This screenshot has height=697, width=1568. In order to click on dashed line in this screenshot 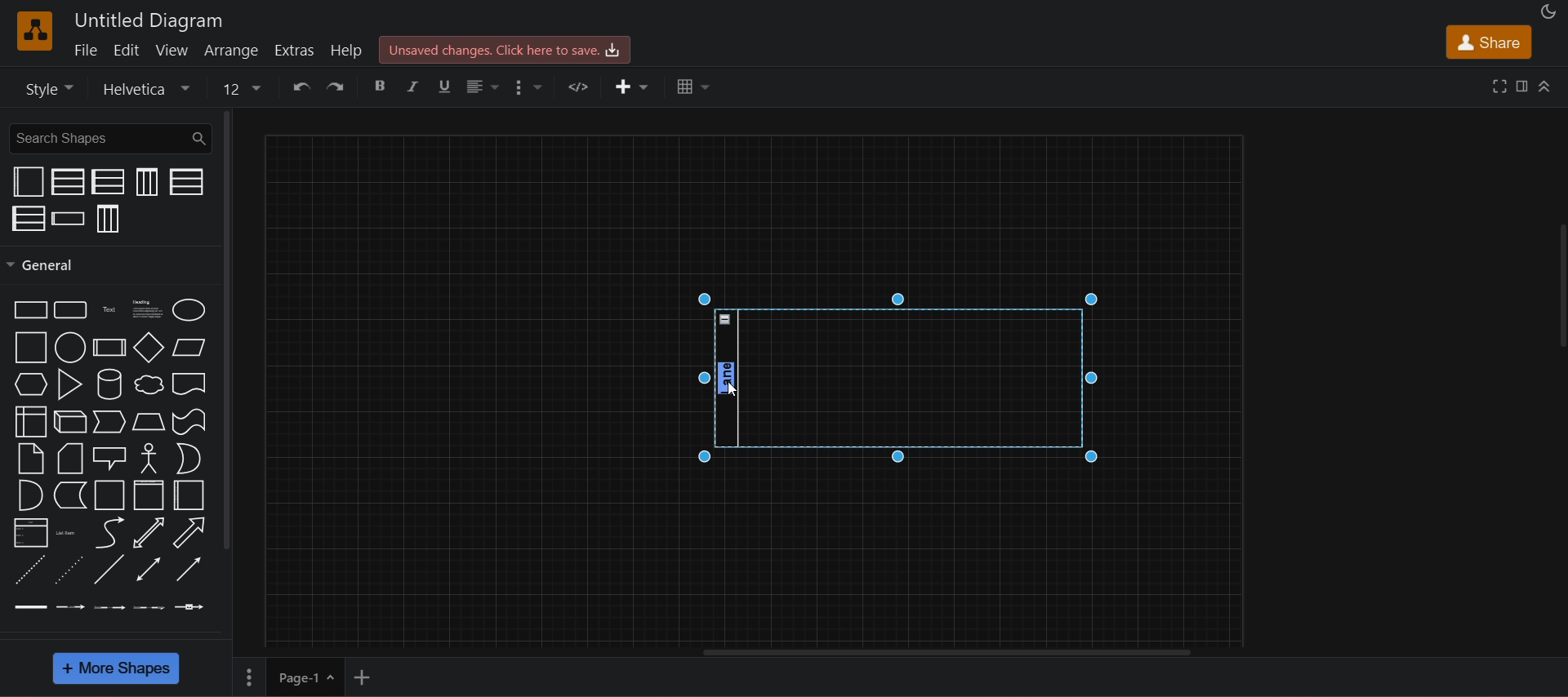, I will do `click(27, 570)`.